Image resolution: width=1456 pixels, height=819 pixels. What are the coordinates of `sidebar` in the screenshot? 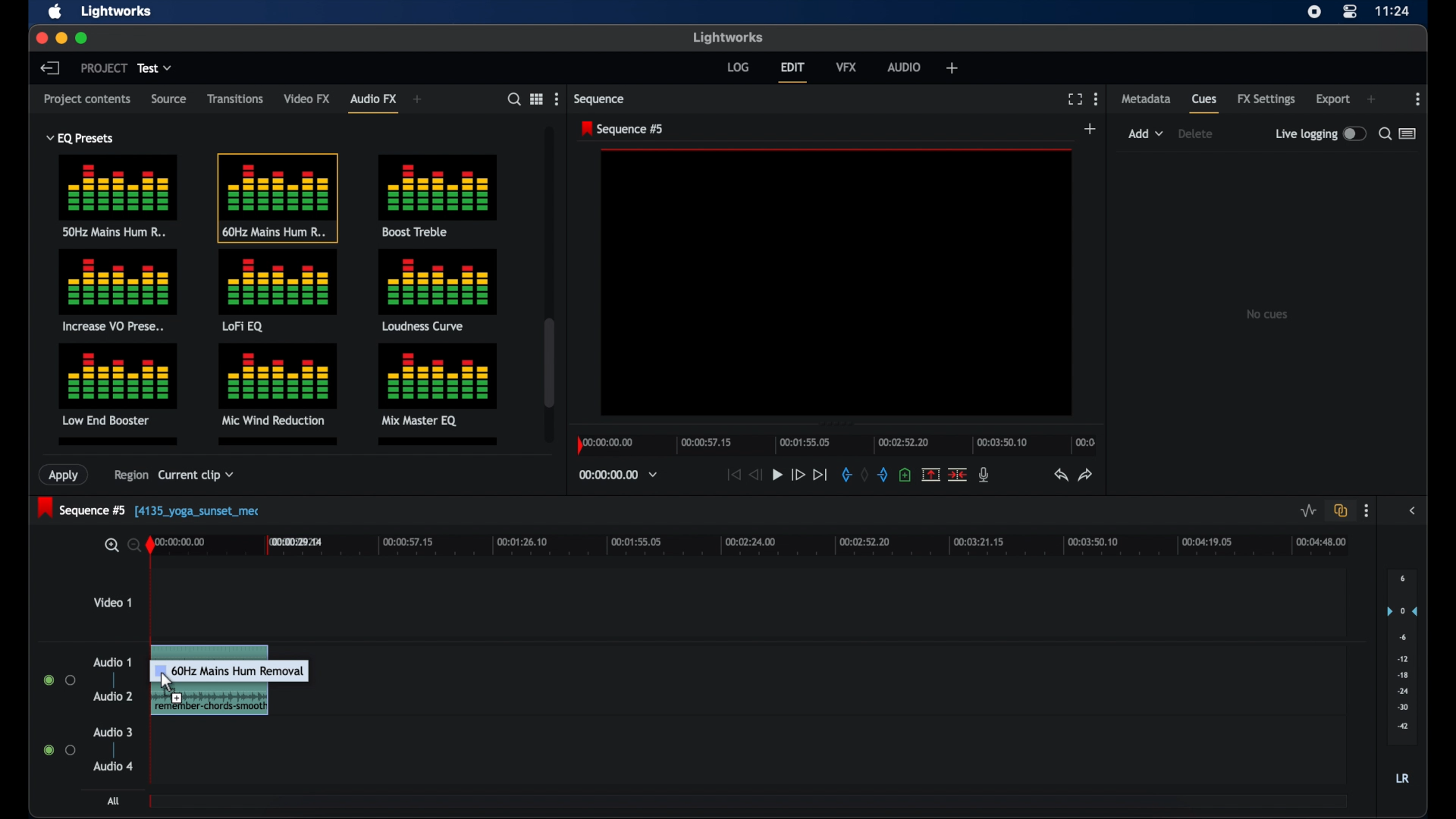 It's located at (1414, 510).